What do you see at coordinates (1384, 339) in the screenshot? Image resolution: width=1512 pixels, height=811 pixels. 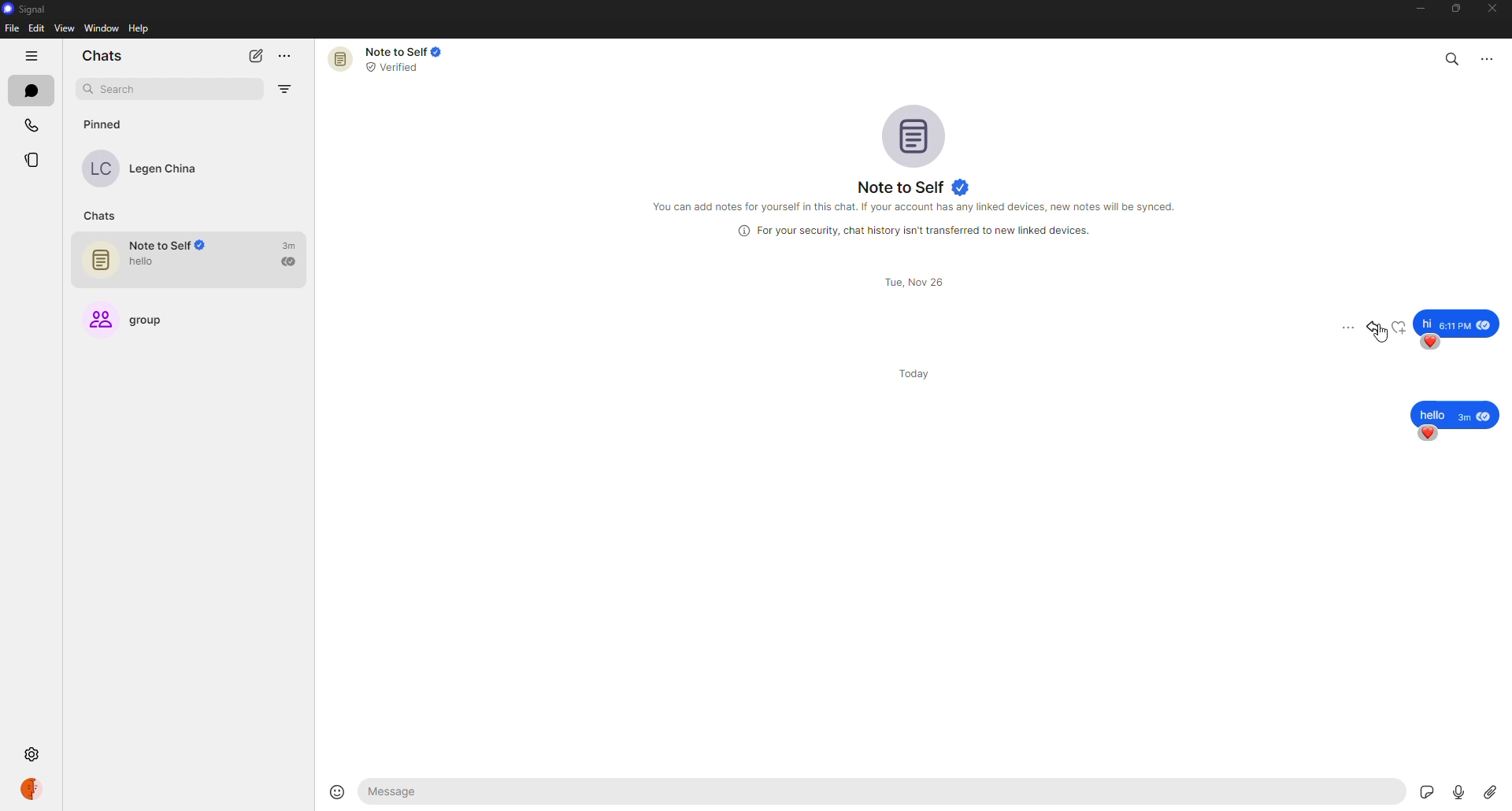 I see `cursor` at bounding box center [1384, 339].